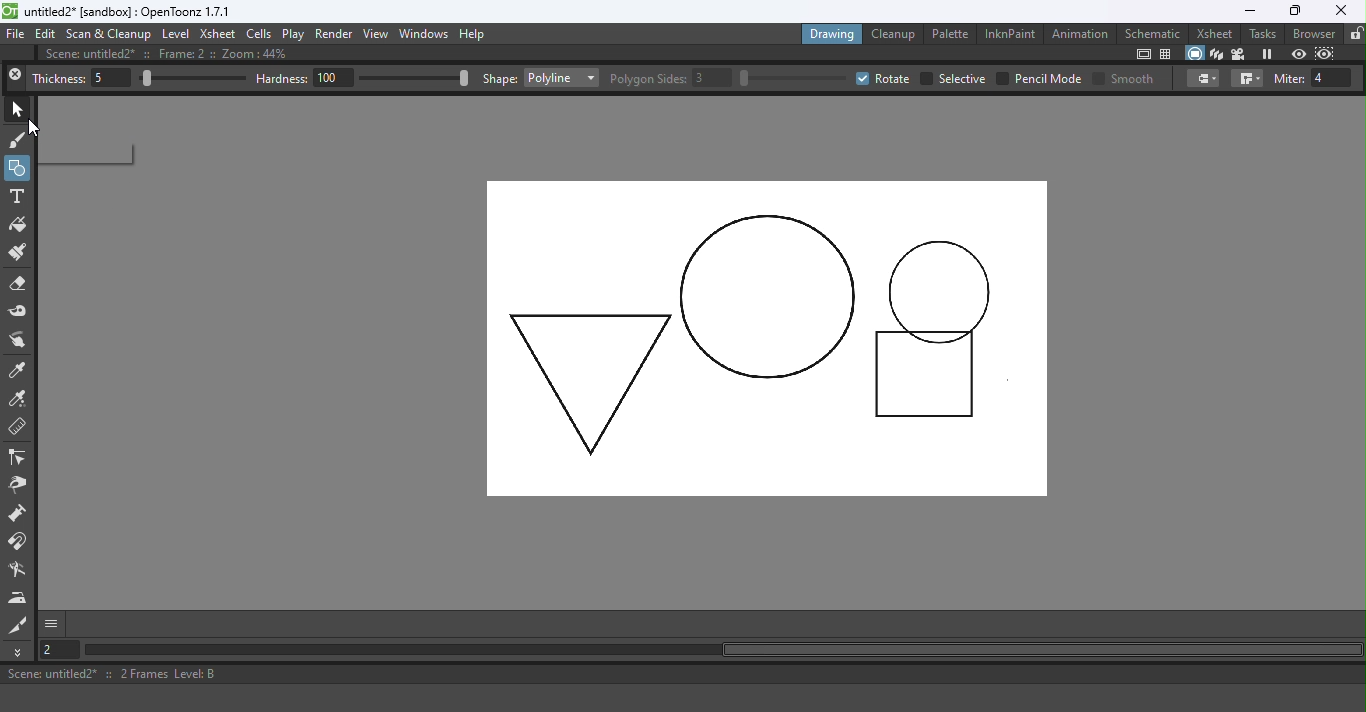  What do you see at coordinates (1262, 33) in the screenshot?
I see `Tasks` at bounding box center [1262, 33].